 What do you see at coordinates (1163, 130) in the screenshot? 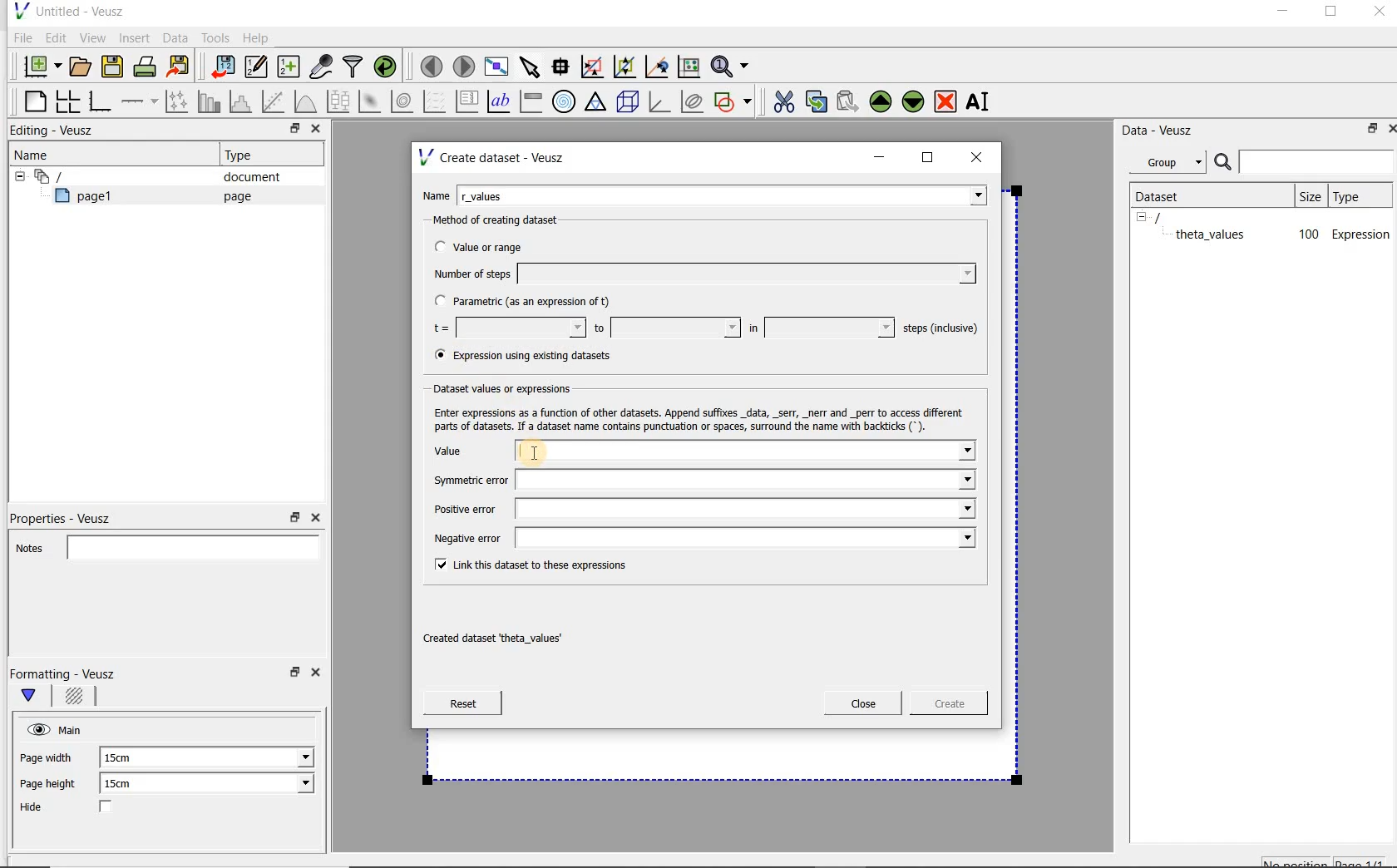
I see `Data - Veusz` at bounding box center [1163, 130].